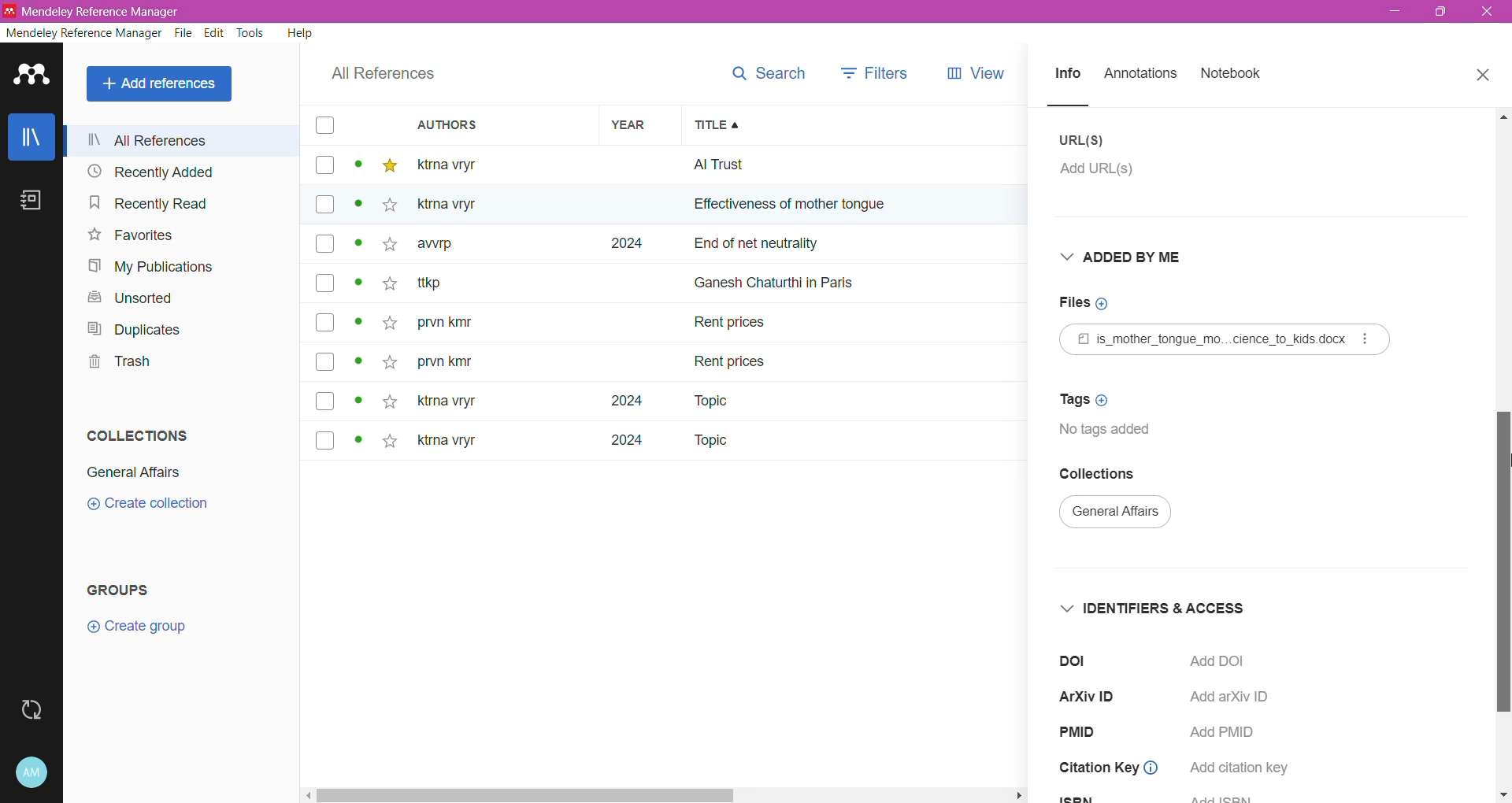 The image size is (1512, 803). I want to click on Favorites, so click(132, 235).